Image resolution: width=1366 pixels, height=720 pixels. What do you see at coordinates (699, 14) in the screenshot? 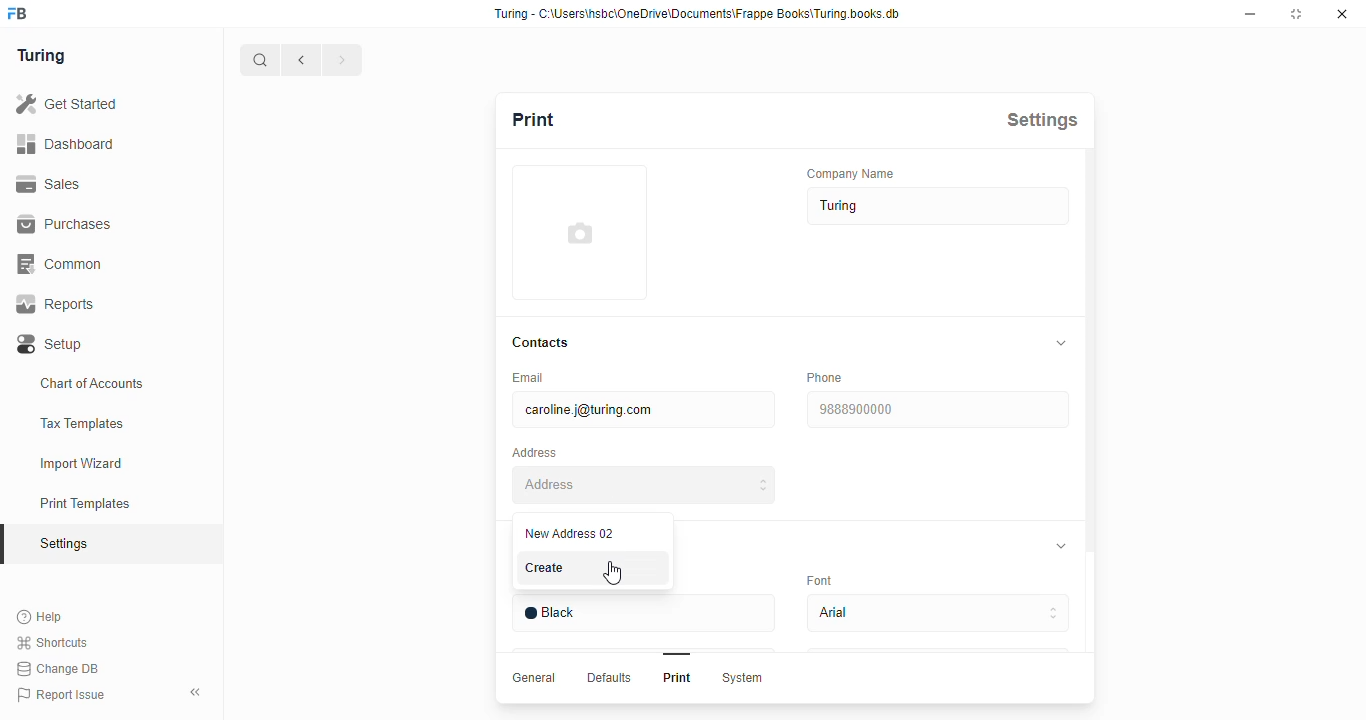
I see `Turing - C:\Users\hshc\OneDrive\Documents\Frappe Books\Turing.books.db` at bounding box center [699, 14].